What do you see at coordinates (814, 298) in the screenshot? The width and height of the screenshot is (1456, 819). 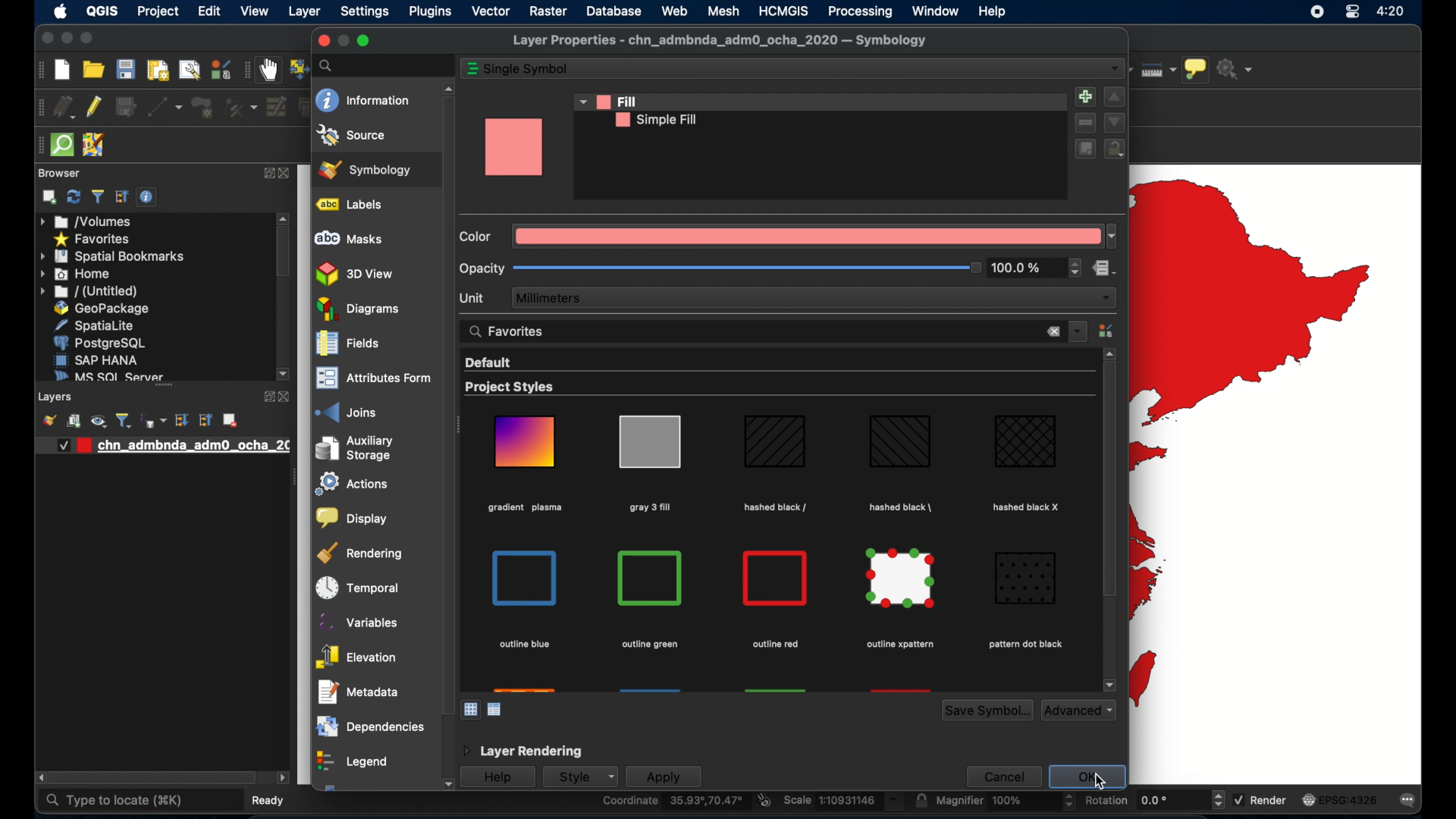 I see `millimeters dropdown` at bounding box center [814, 298].